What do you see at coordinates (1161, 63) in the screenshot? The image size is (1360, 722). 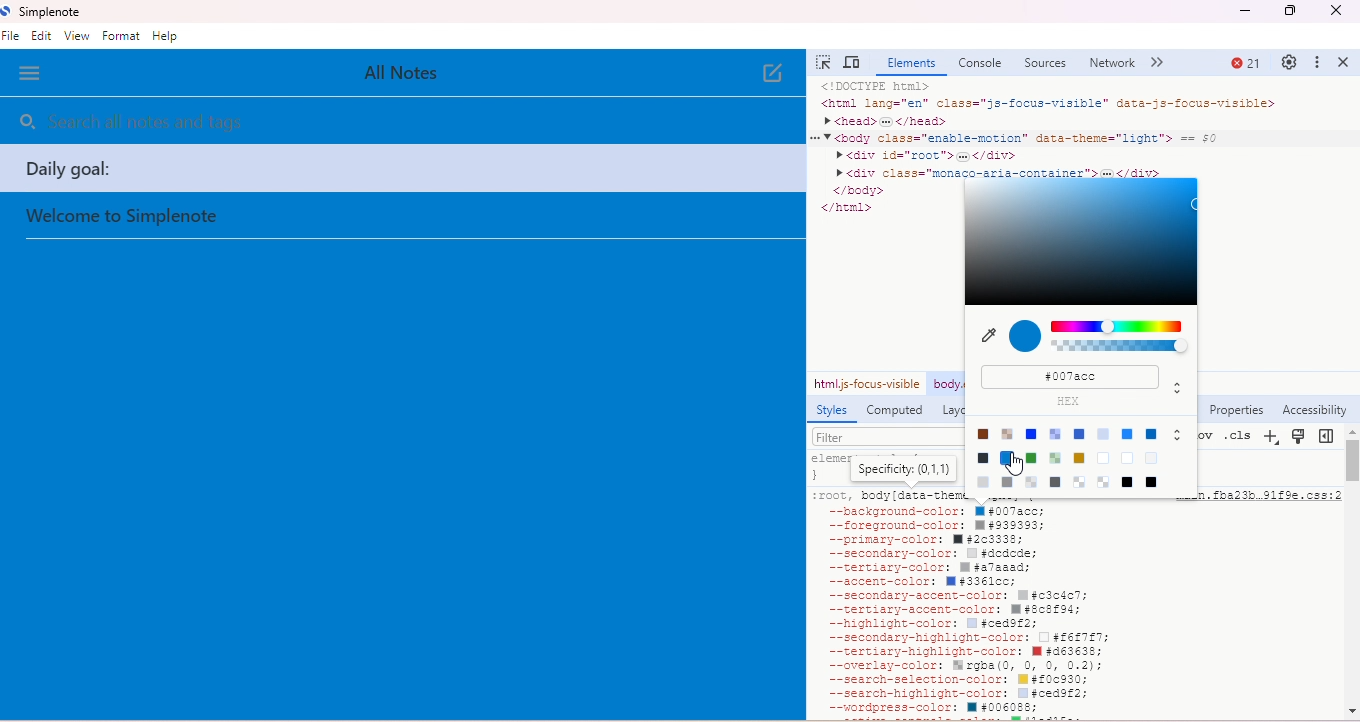 I see `more tabs` at bounding box center [1161, 63].